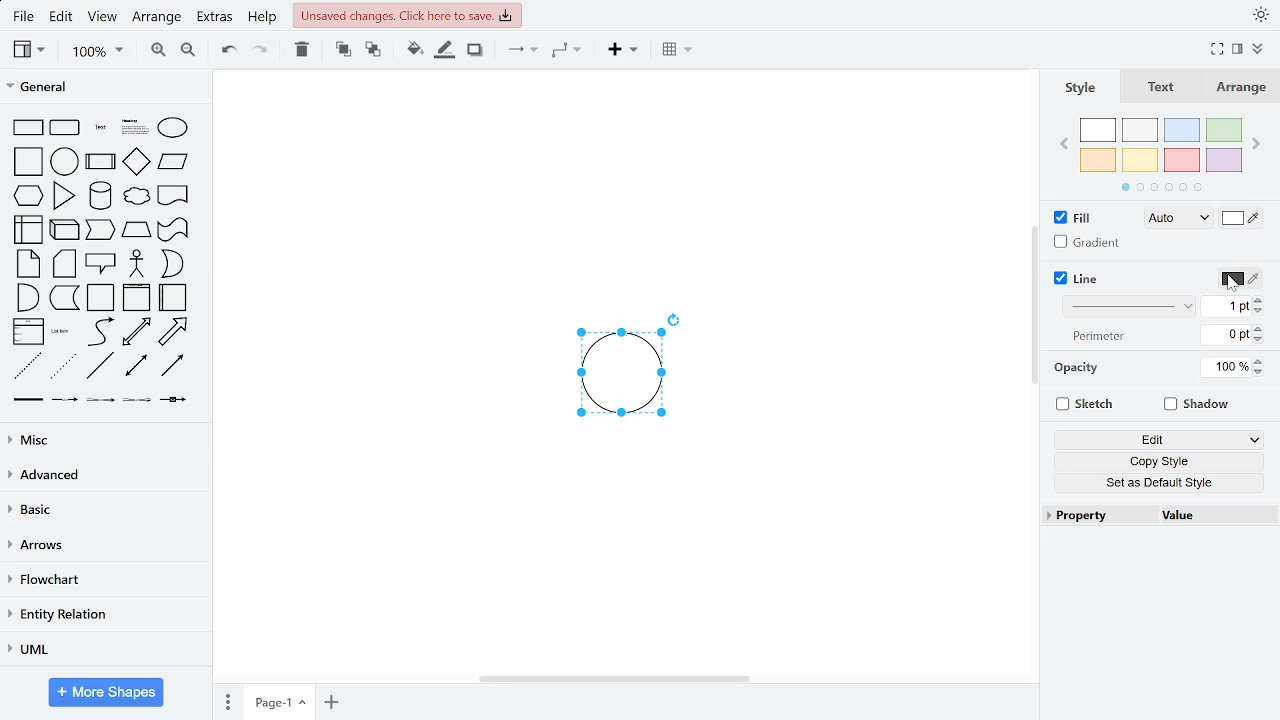 This screenshot has width=1280, height=720. I want to click on note, so click(28, 264).